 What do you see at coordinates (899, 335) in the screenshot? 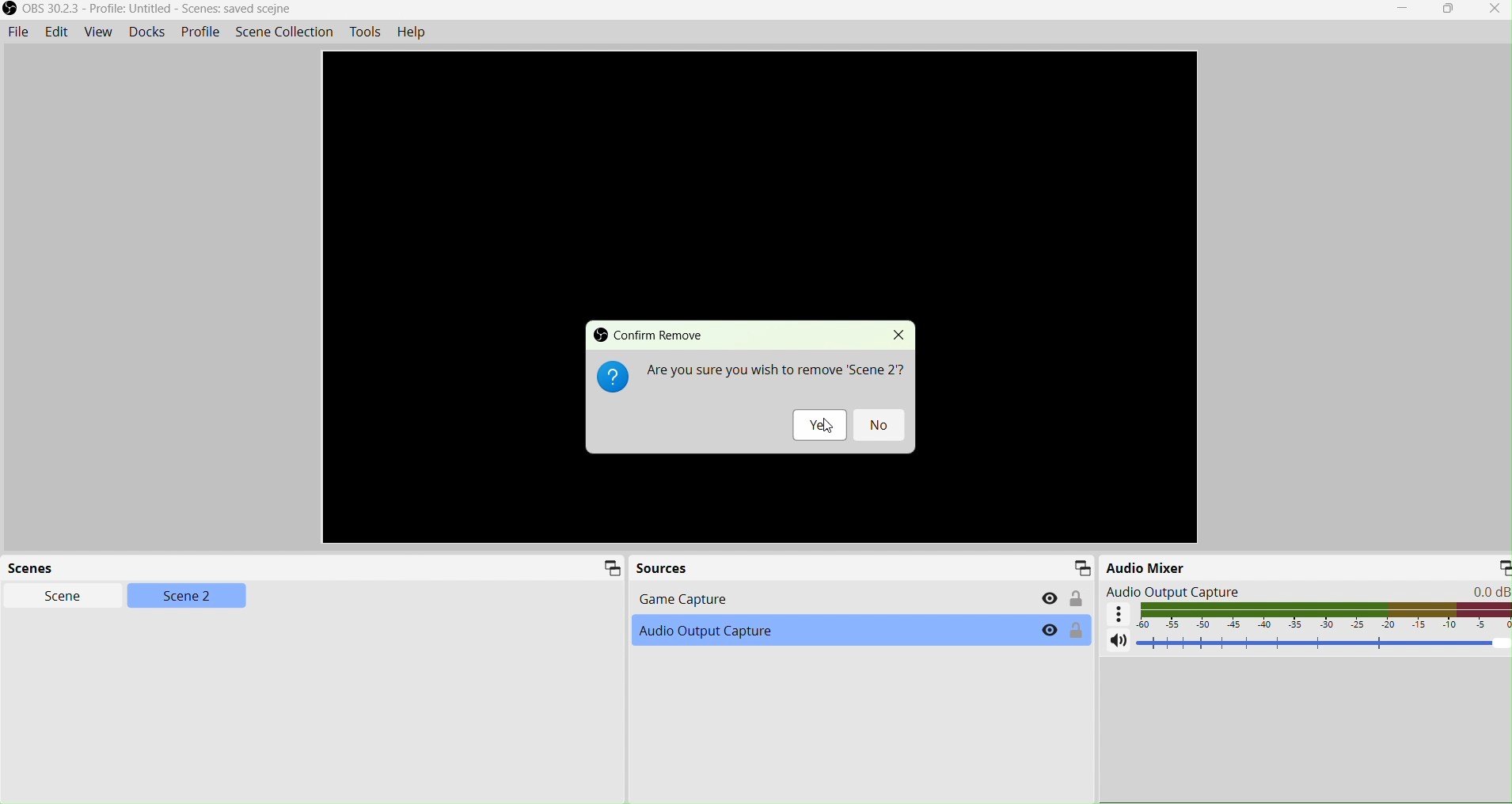
I see `Close` at bounding box center [899, 335].